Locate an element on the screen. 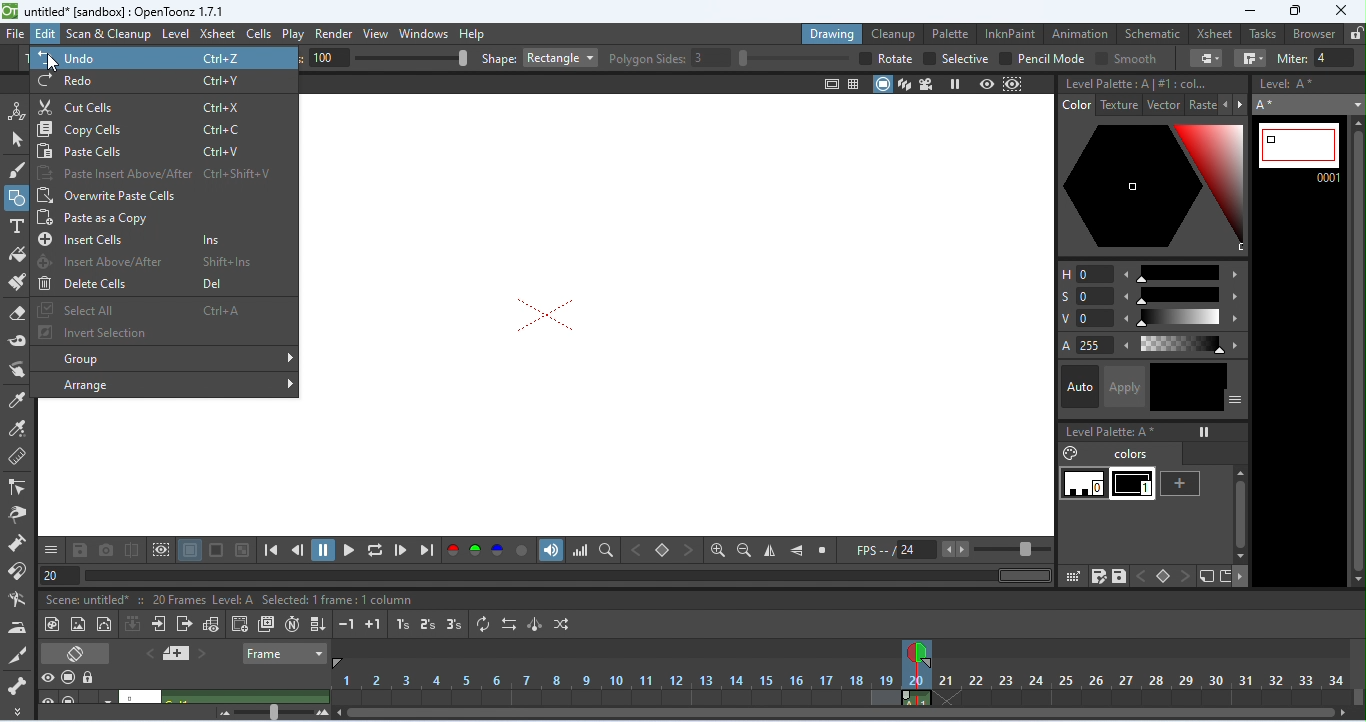 The height and width of the screenshot is (722, 1366). colors is located at coordinates (1109, 453).